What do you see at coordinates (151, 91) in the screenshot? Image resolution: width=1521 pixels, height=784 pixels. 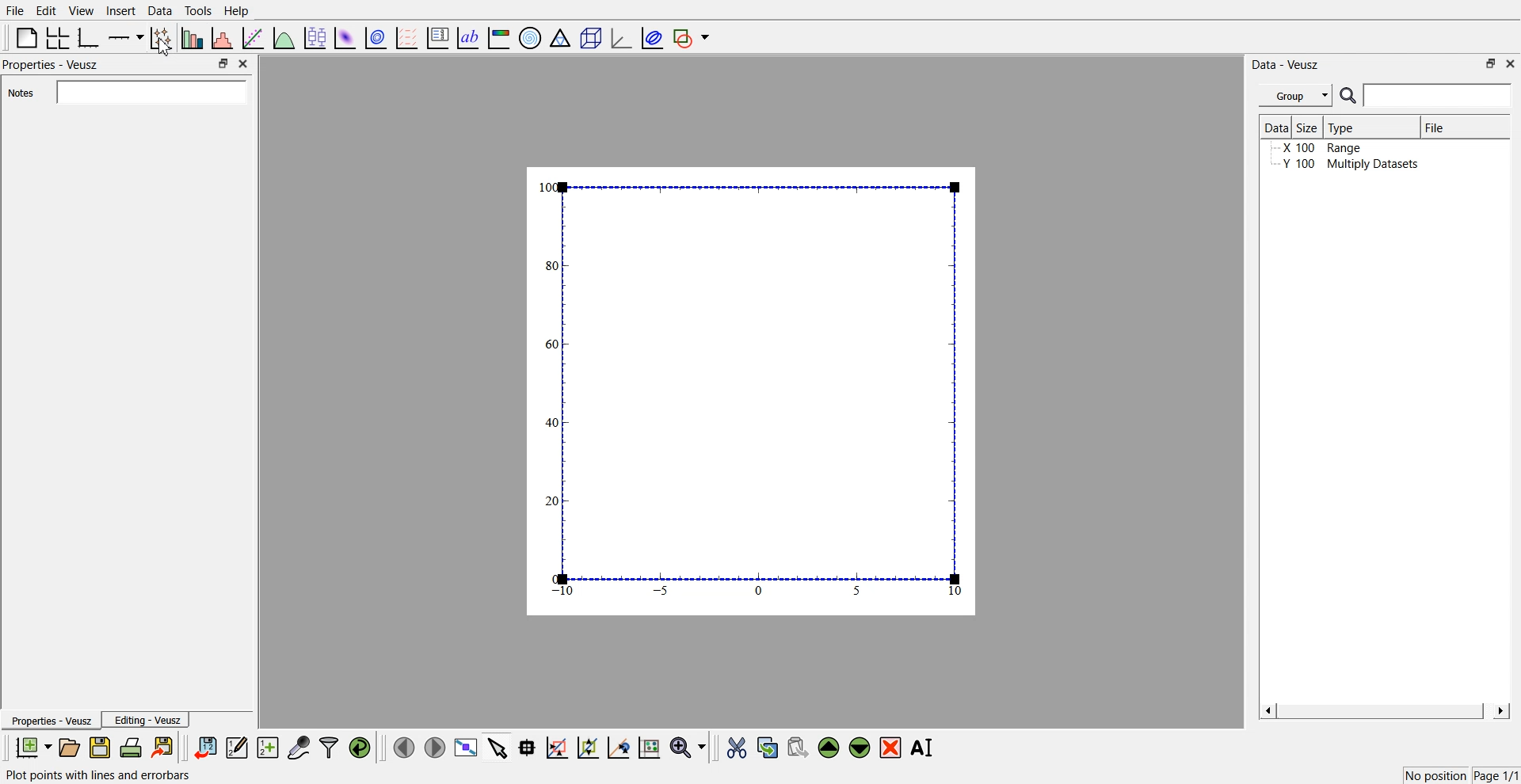 I see `enter notes field` at bounding box center [151, 91].